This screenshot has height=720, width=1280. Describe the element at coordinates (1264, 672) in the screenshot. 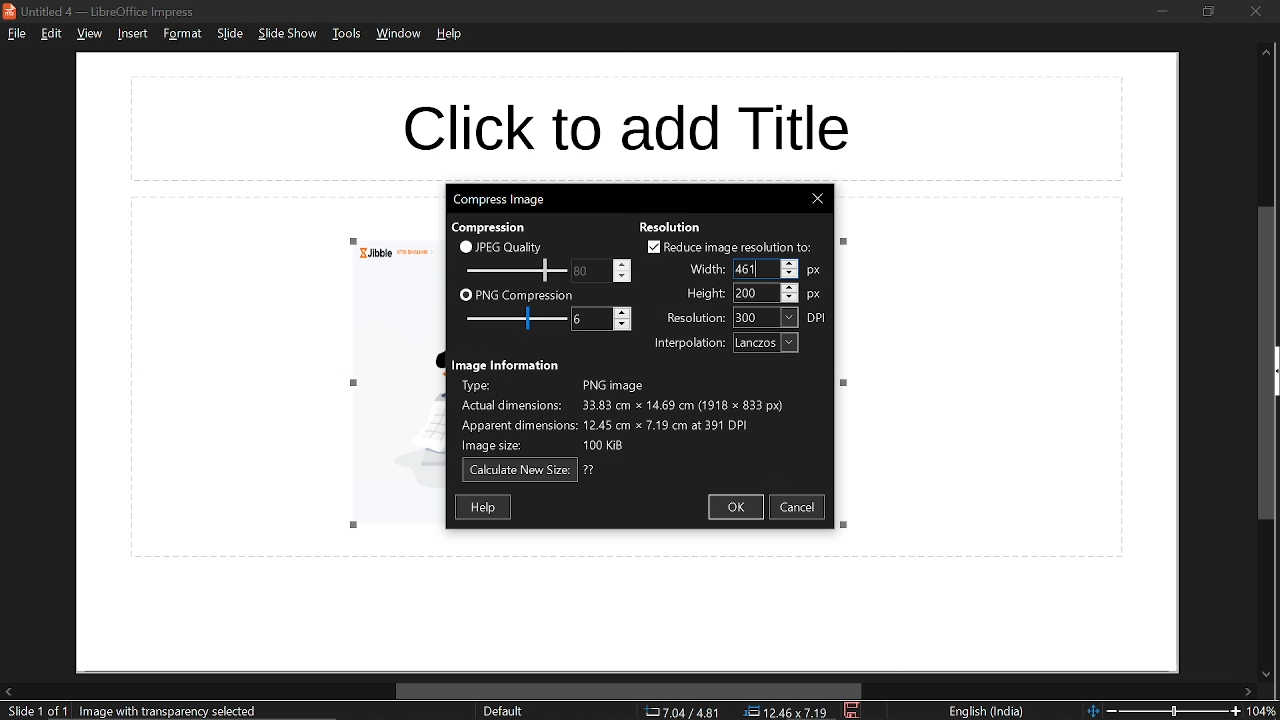

I see `move down` at that location.